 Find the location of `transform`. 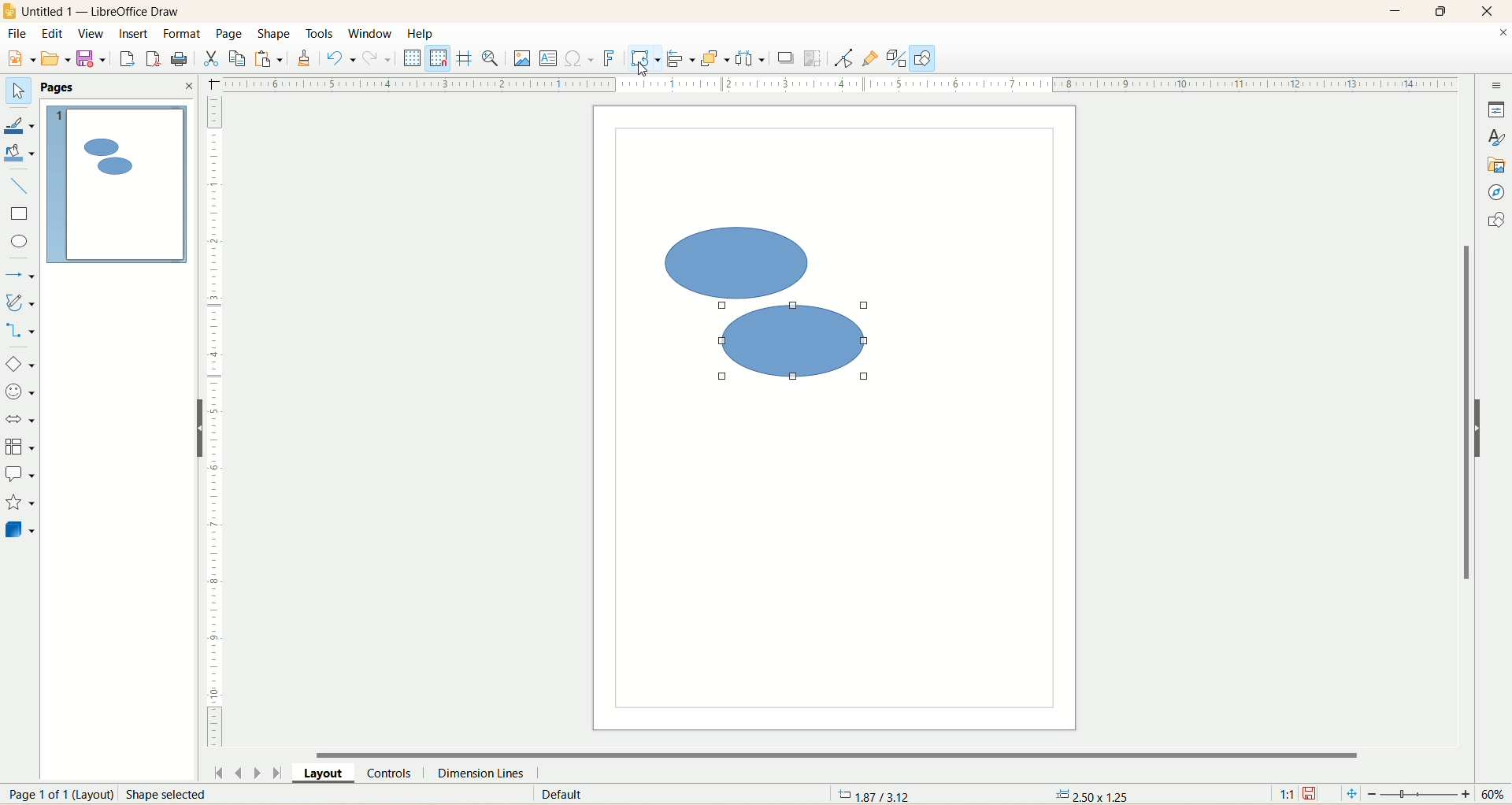

transform is located at coordinates (642, 59).